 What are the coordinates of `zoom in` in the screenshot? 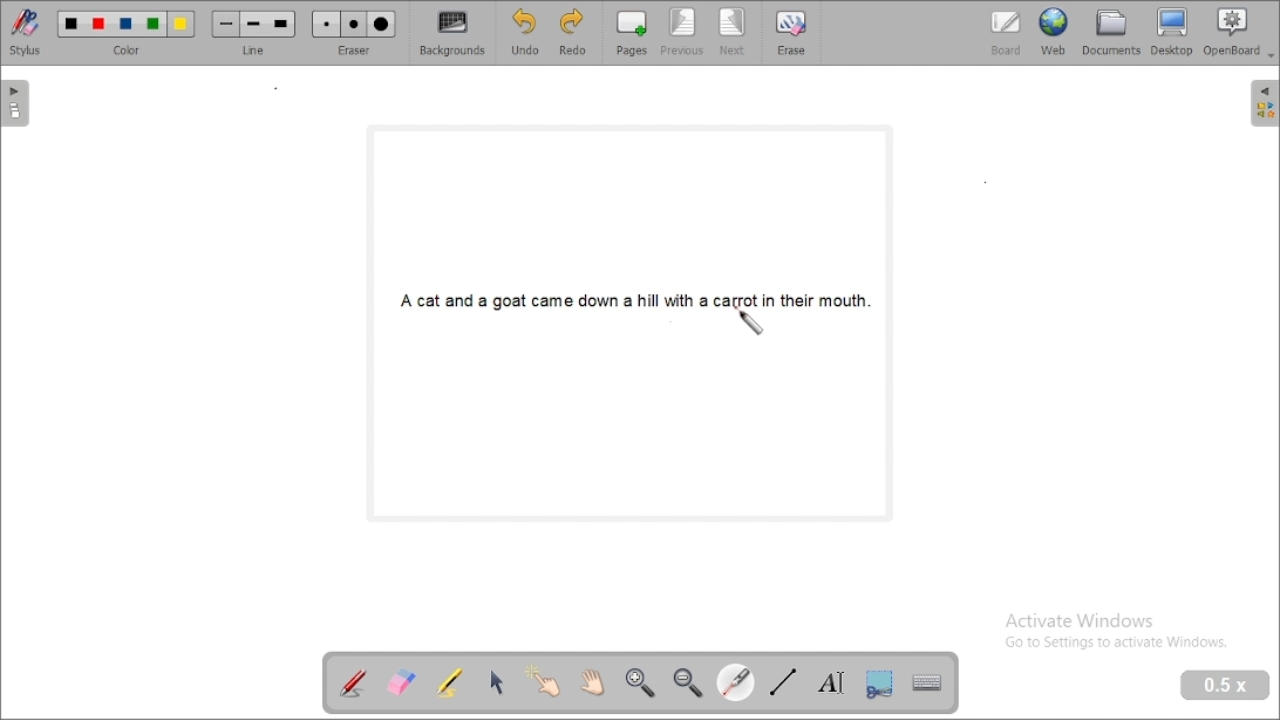 It's located at (641, 684).